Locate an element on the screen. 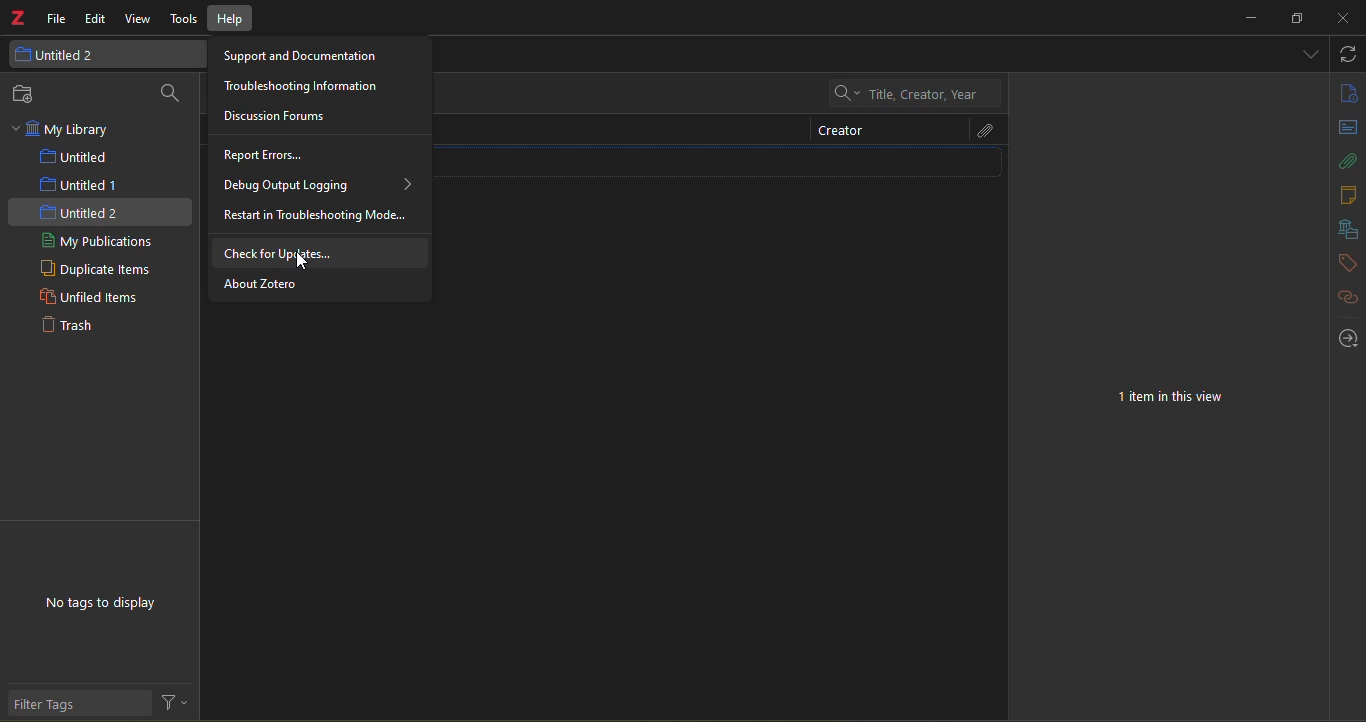  restart in troubleshooting mode is located at coordinates (315, 215).